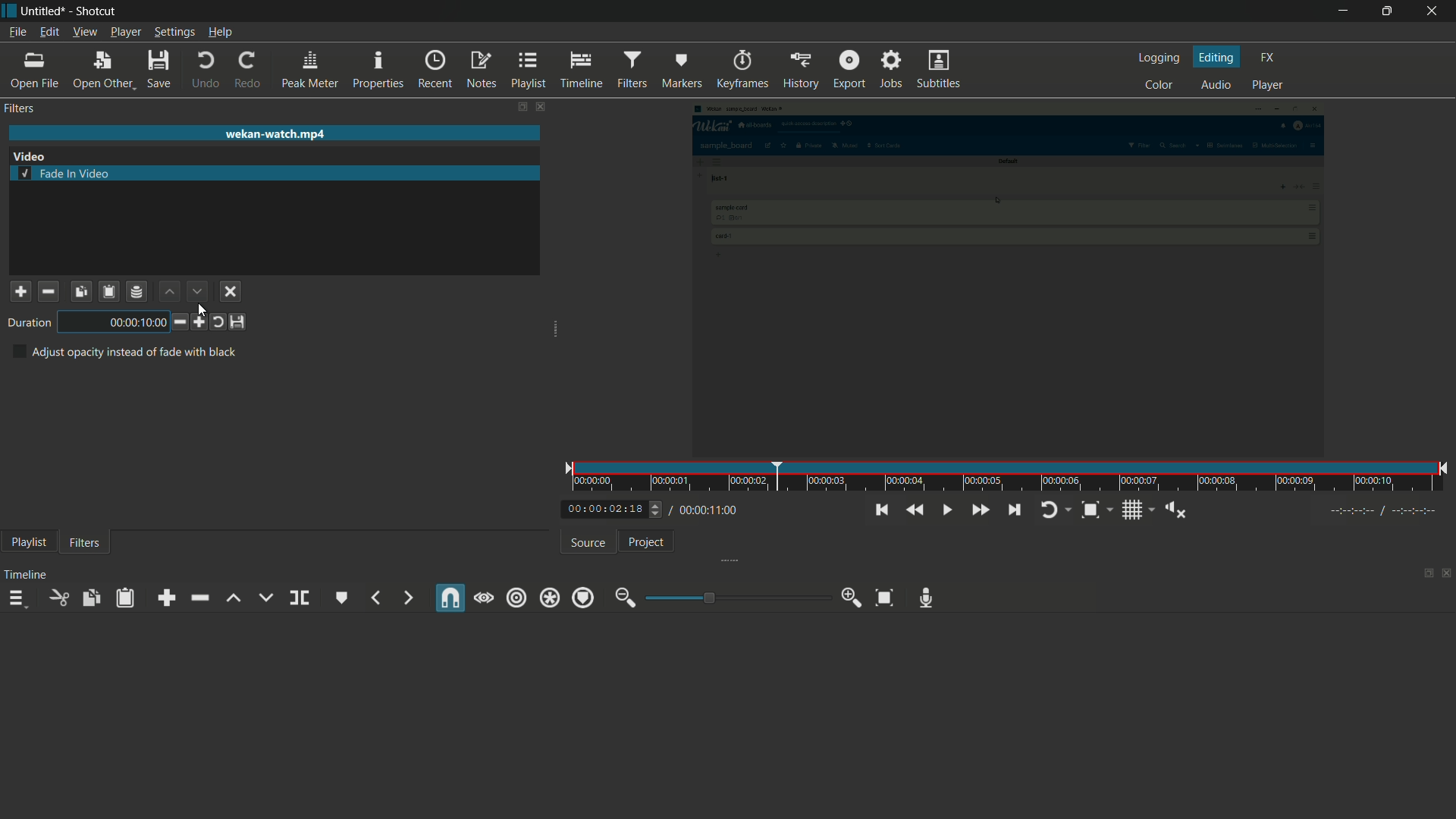 This screenshot has width=1456, height=819. I want to click on ripple all tracks, so click(550, 598).